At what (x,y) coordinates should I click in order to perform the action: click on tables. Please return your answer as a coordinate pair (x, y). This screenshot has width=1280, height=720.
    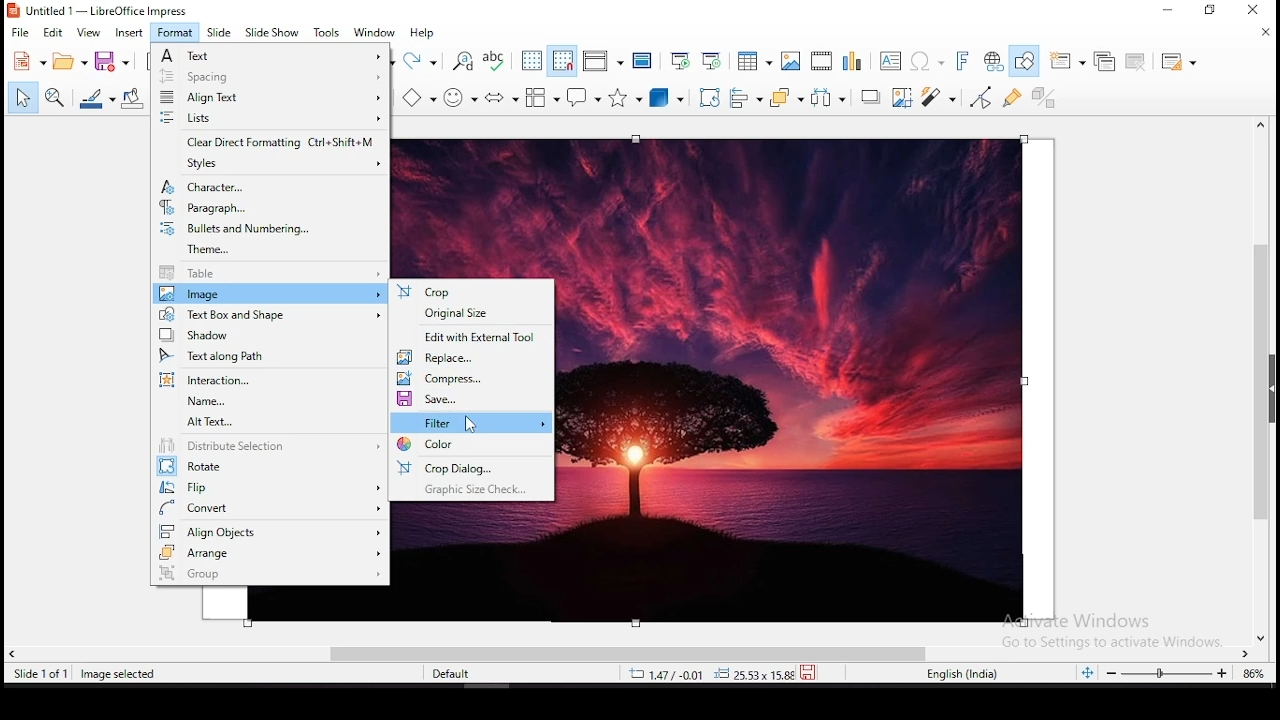
    Looking at the image, I should click on (752, 61).